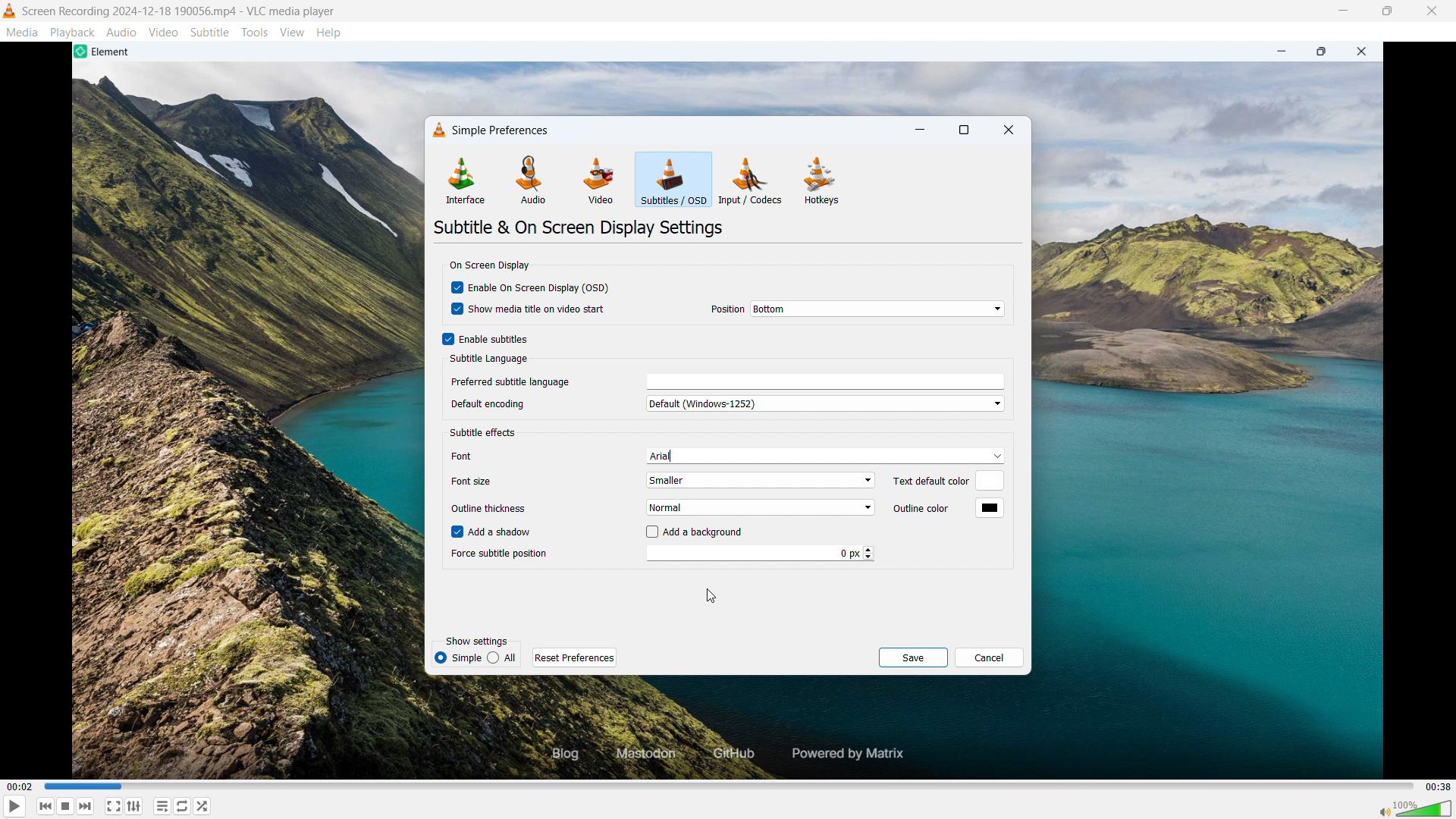 The height and width of the screenshot is (819, 1456). What do you see at coordinates (502, 403) in the screenshot?
I see `Default encoding` at bounding box center [502, 403].